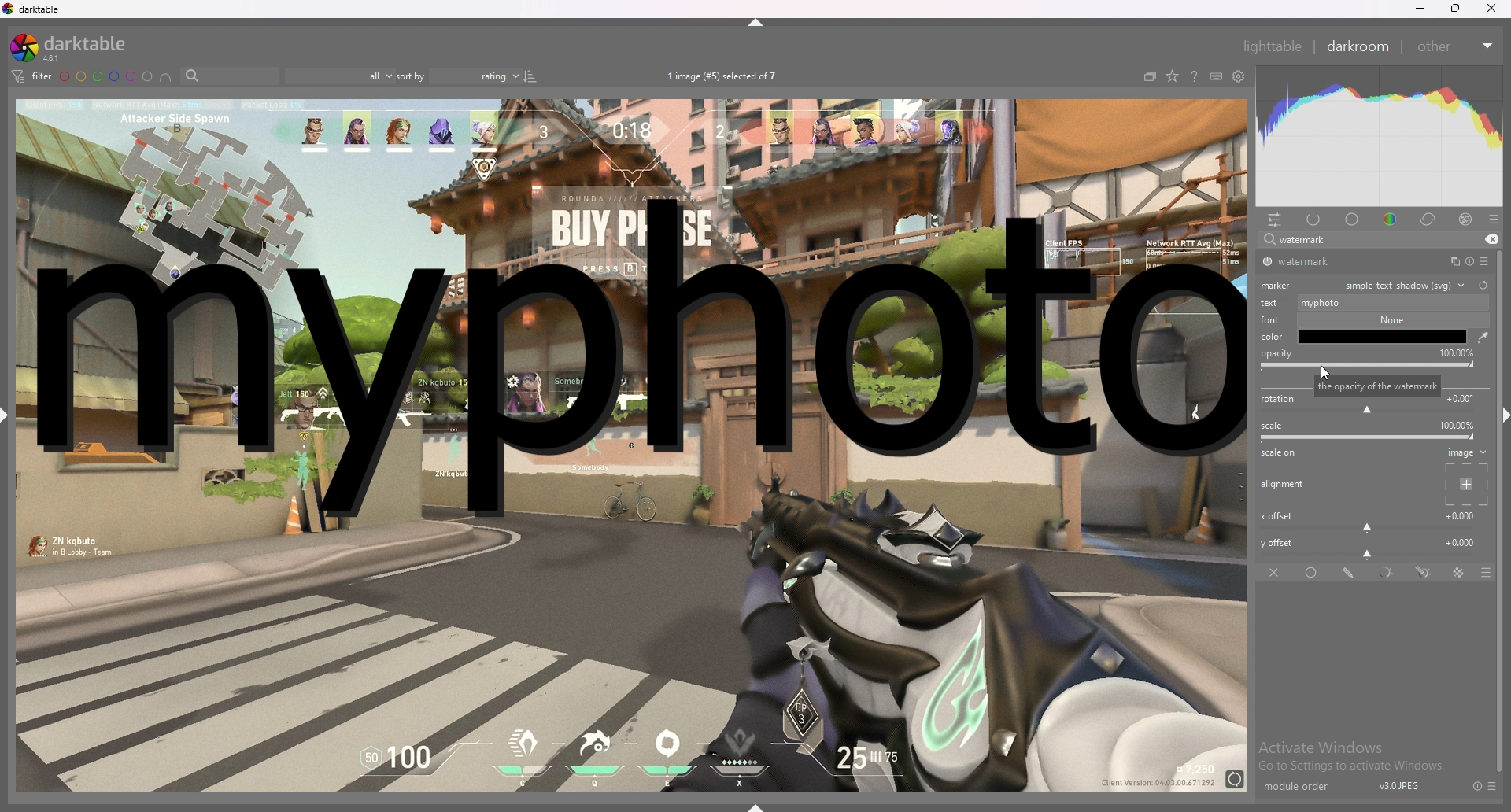  What do you see at coordinates (1369, 519) in the screenshot?
I see `xoffset` at bounding box center [1369, 519].